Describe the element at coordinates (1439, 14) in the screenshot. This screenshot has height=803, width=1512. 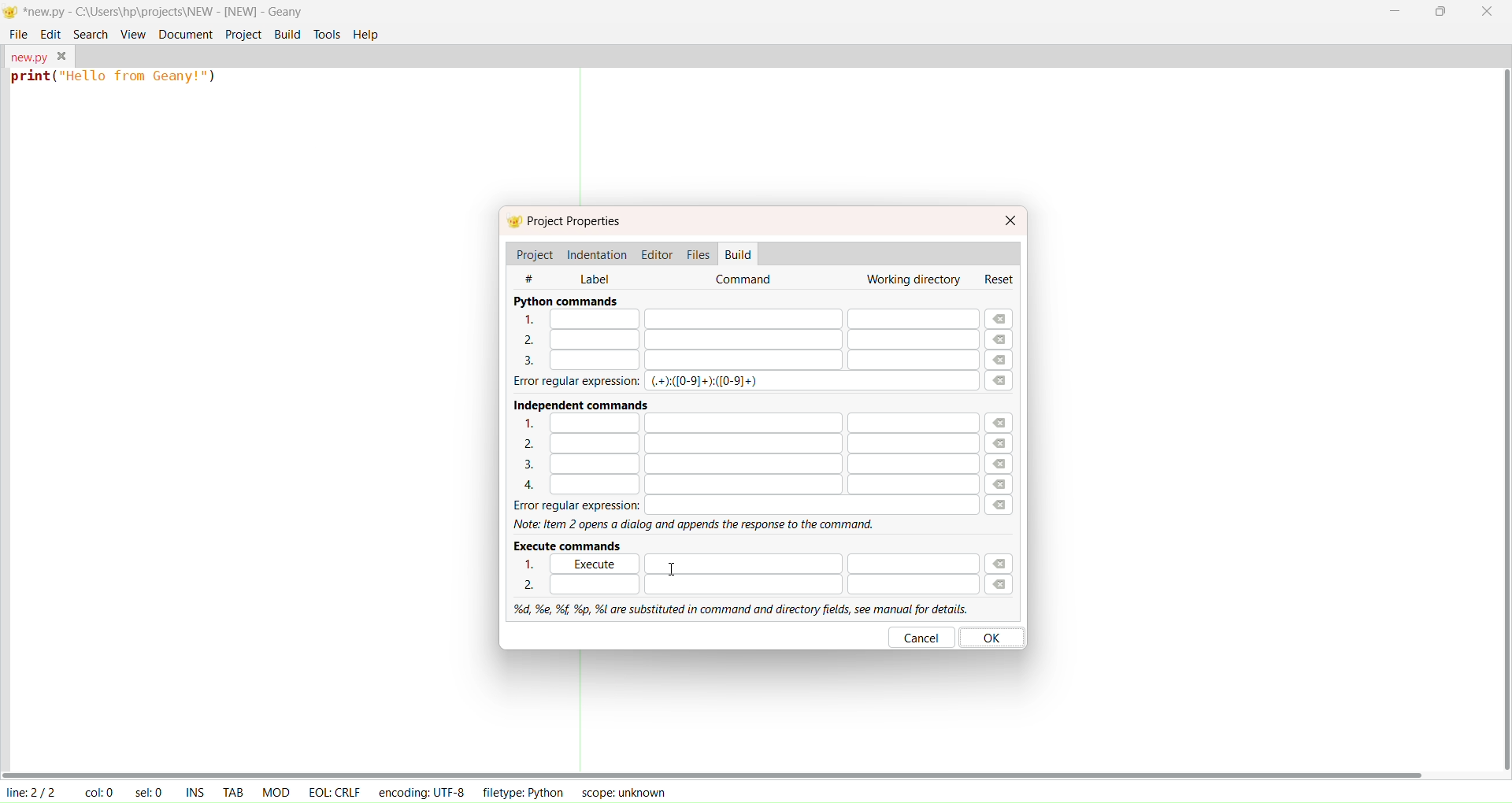
I see `maximize` at that location.